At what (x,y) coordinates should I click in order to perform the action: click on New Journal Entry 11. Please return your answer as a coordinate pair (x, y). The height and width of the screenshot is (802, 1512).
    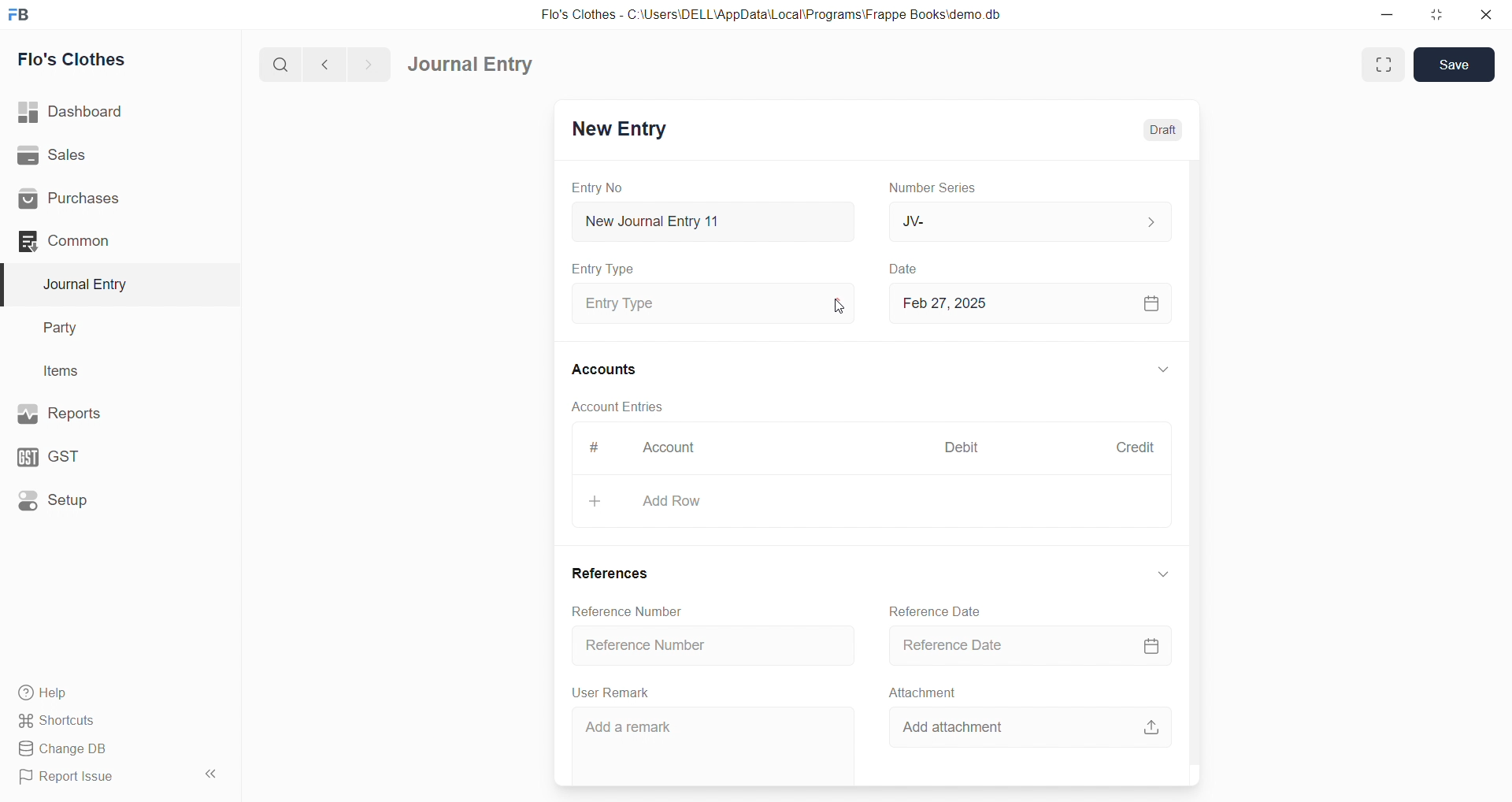
    Looking at the image, I should click on (713, 221).